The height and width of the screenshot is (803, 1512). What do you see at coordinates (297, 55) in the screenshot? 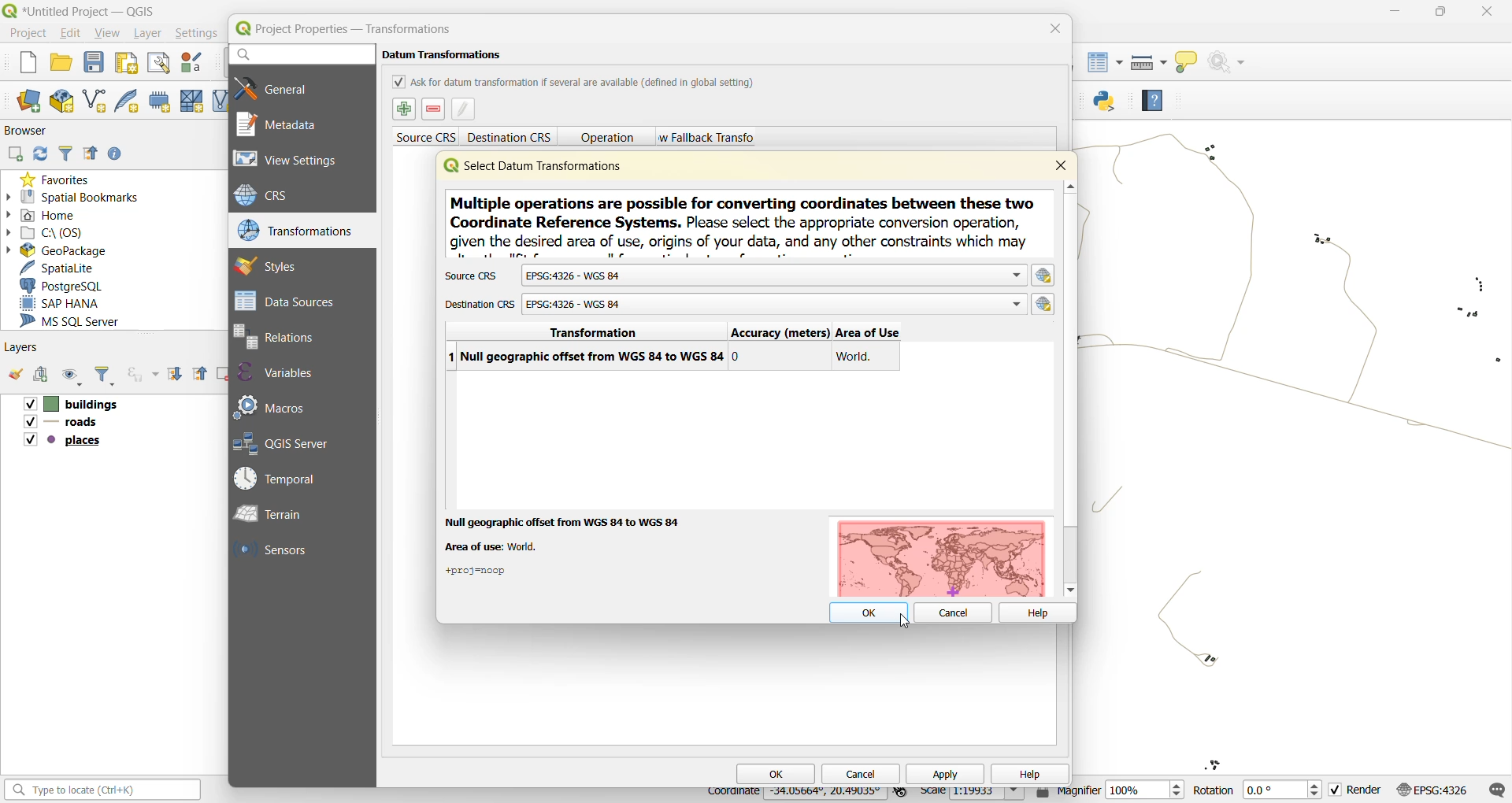
I see `search` at bounding box center [297, 55].